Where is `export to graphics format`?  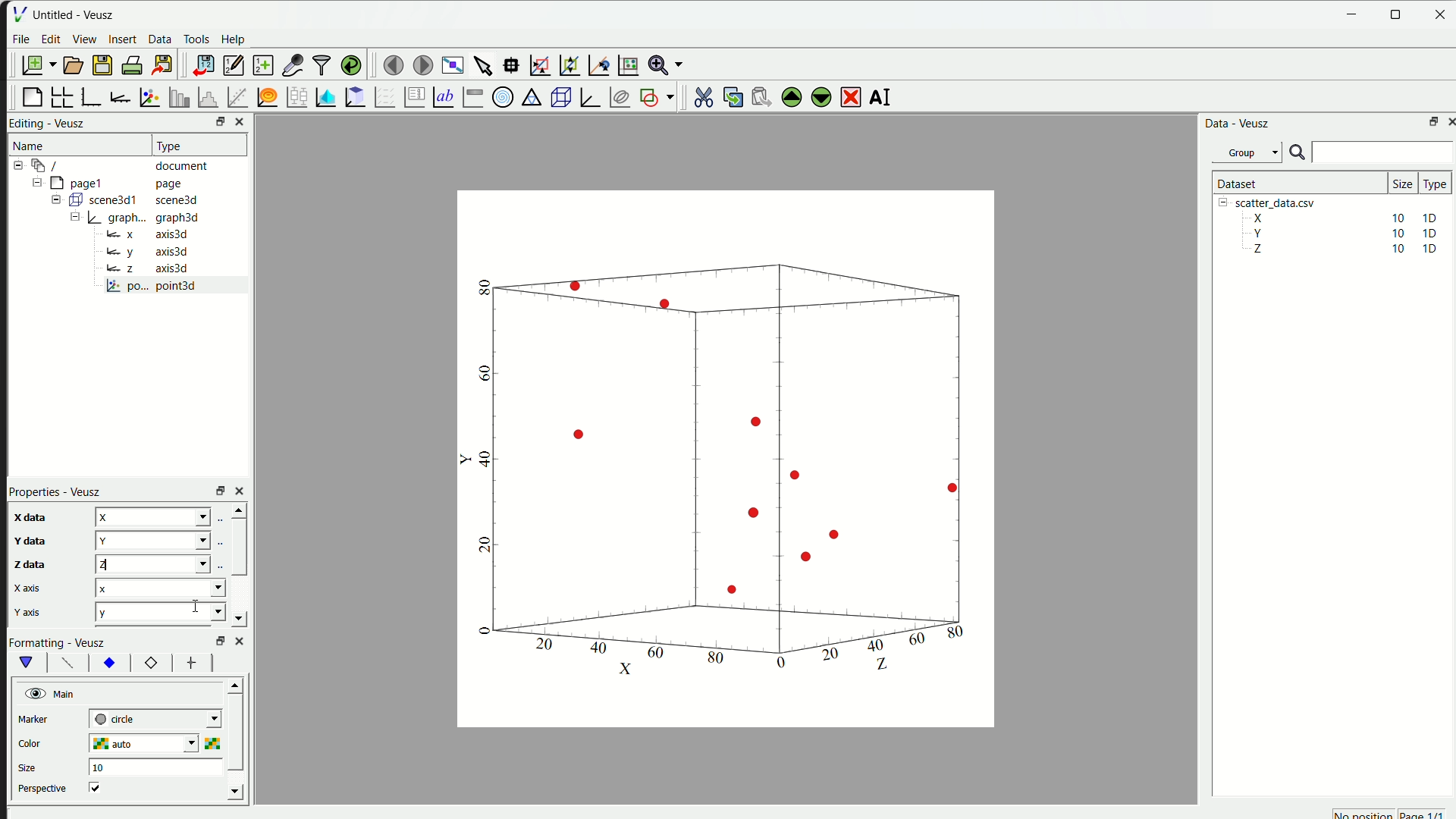
export to graphics format is located at coordinates (161, 63).